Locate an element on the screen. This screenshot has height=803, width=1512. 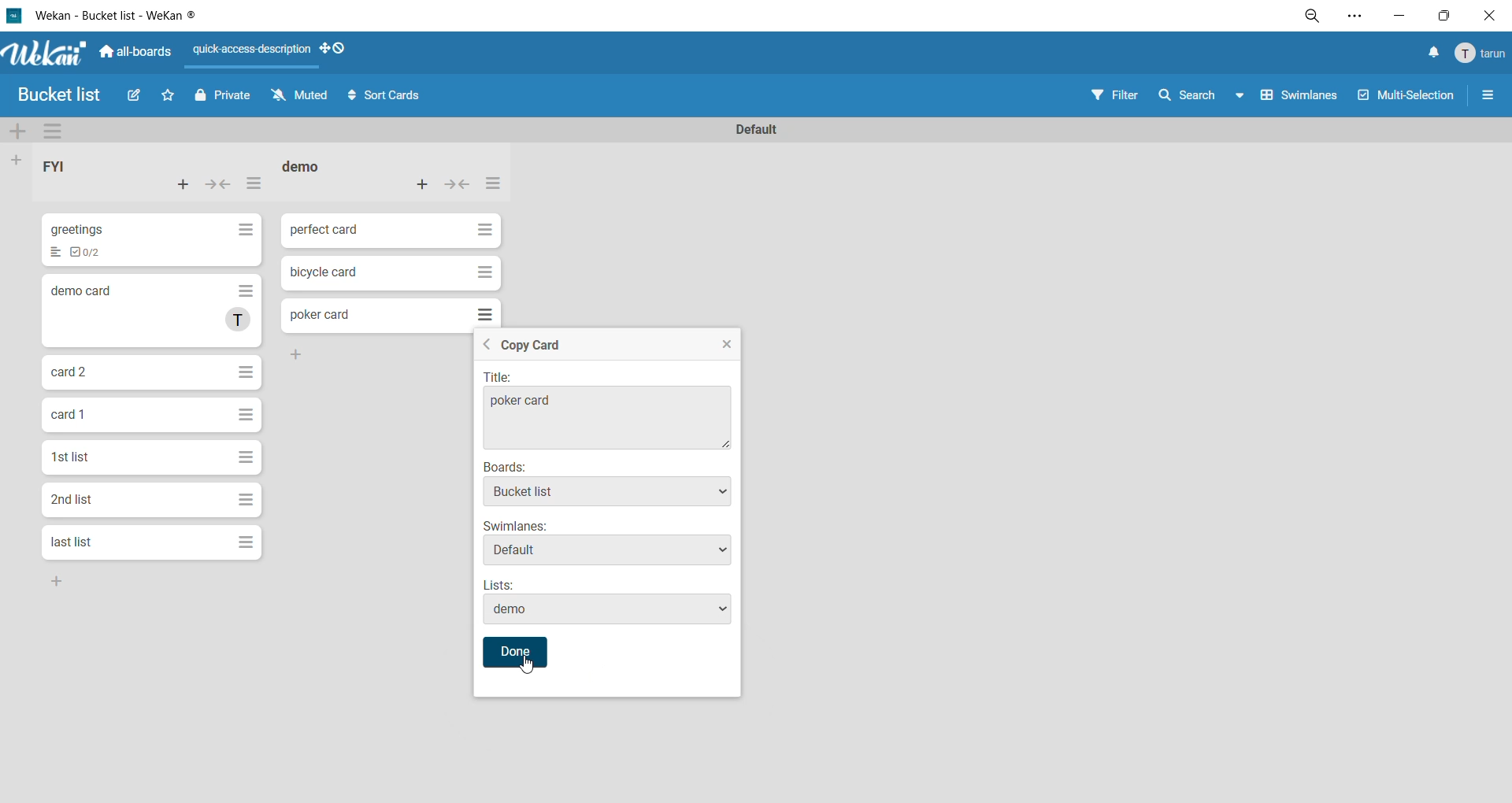
demo is located at coordinates (609, 609).